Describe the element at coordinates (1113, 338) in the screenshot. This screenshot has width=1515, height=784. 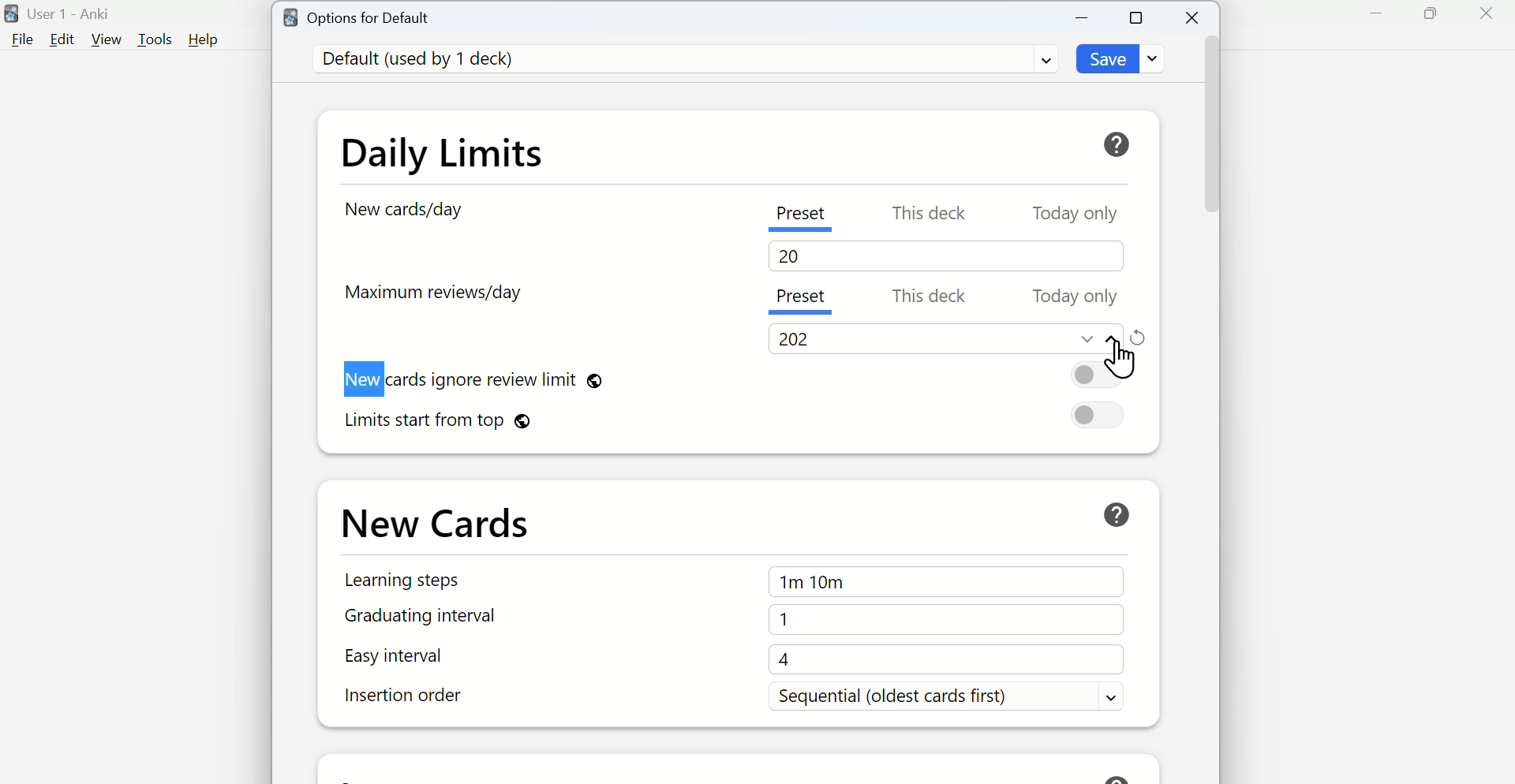
I see `Move up` at that location.